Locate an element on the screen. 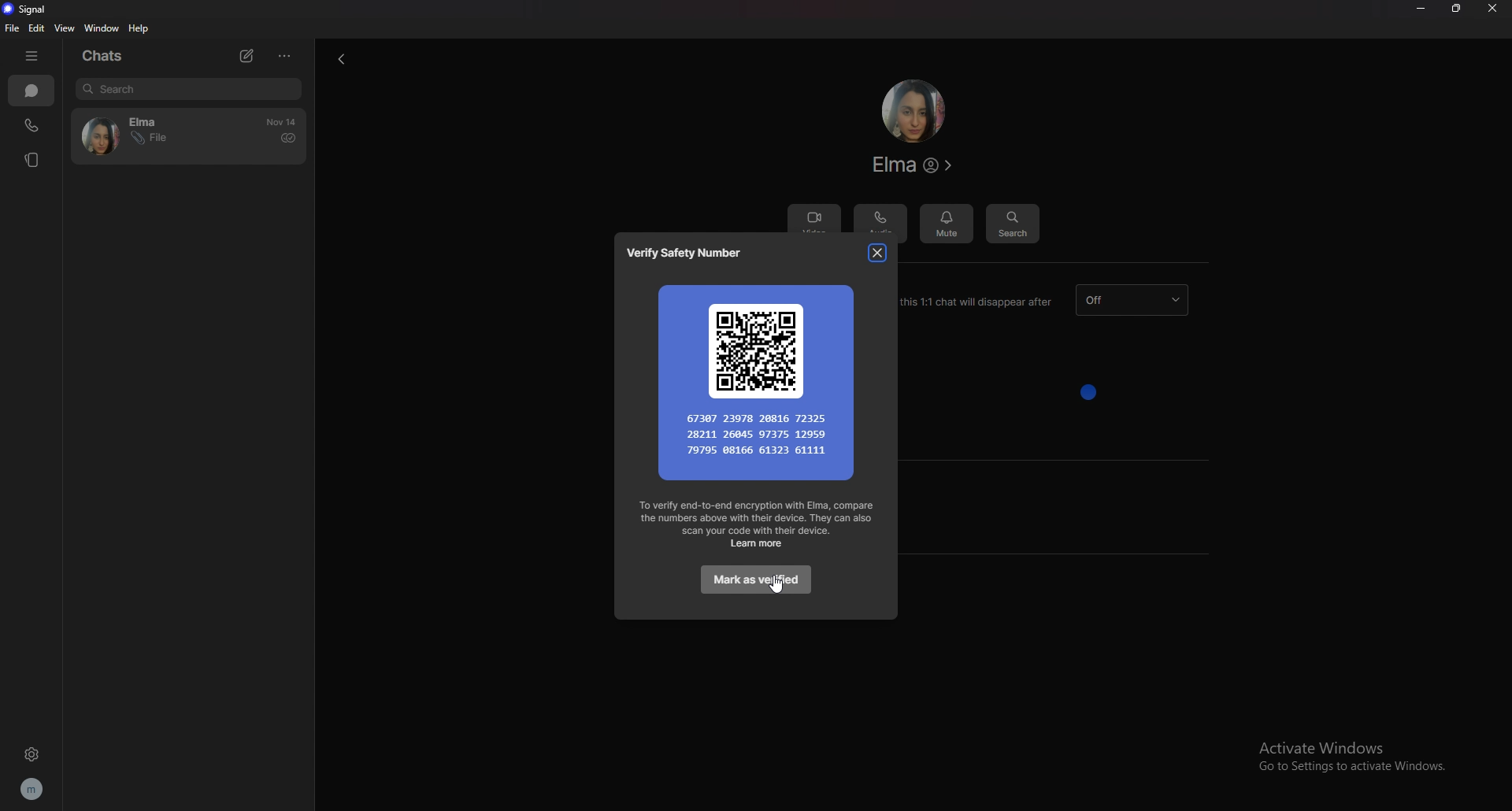 The width and height of the screenshot is (1512, 811). contact name is located at coordinates (915, 165).